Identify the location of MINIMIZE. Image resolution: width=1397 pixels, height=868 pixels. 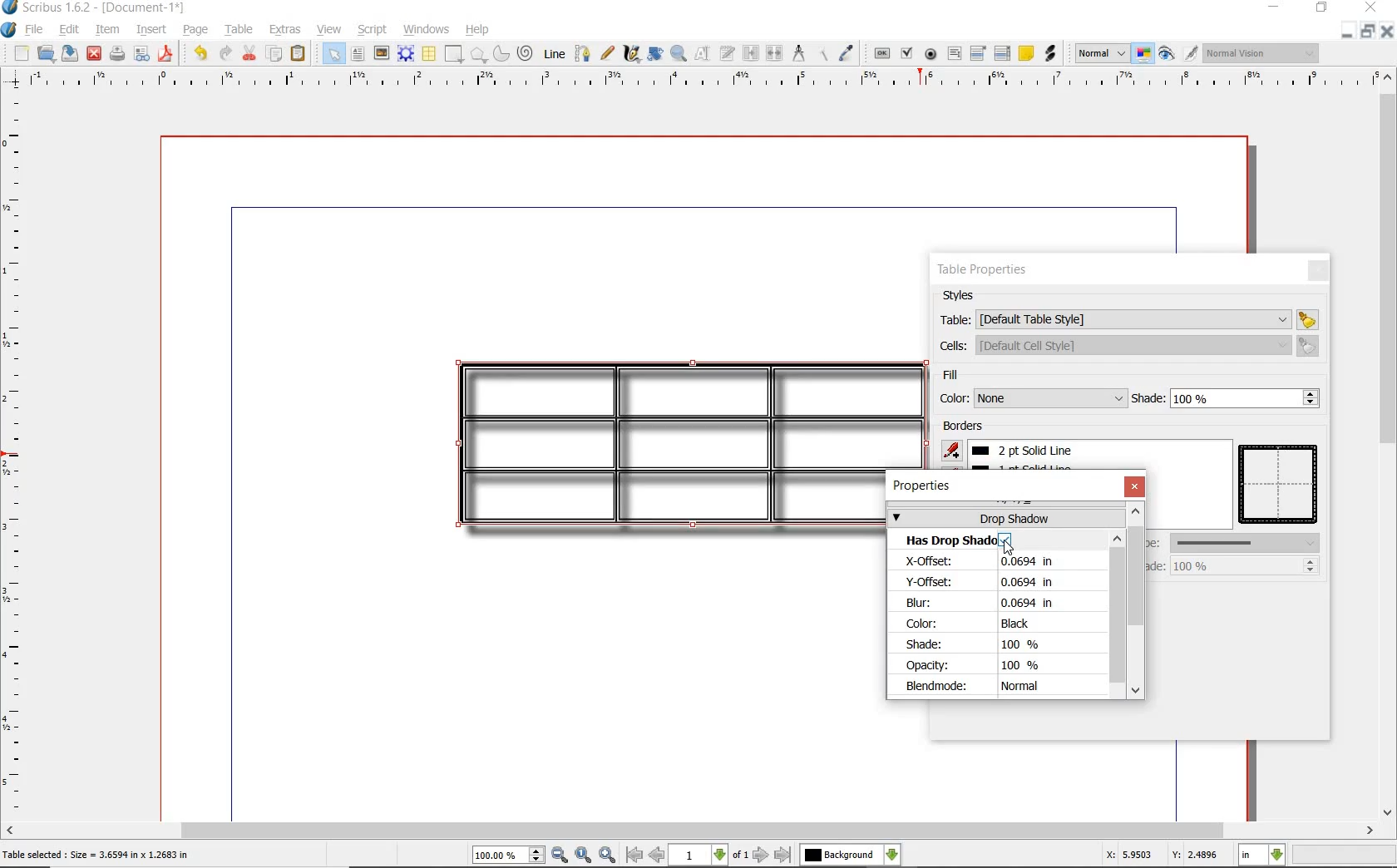
(1273, 7).